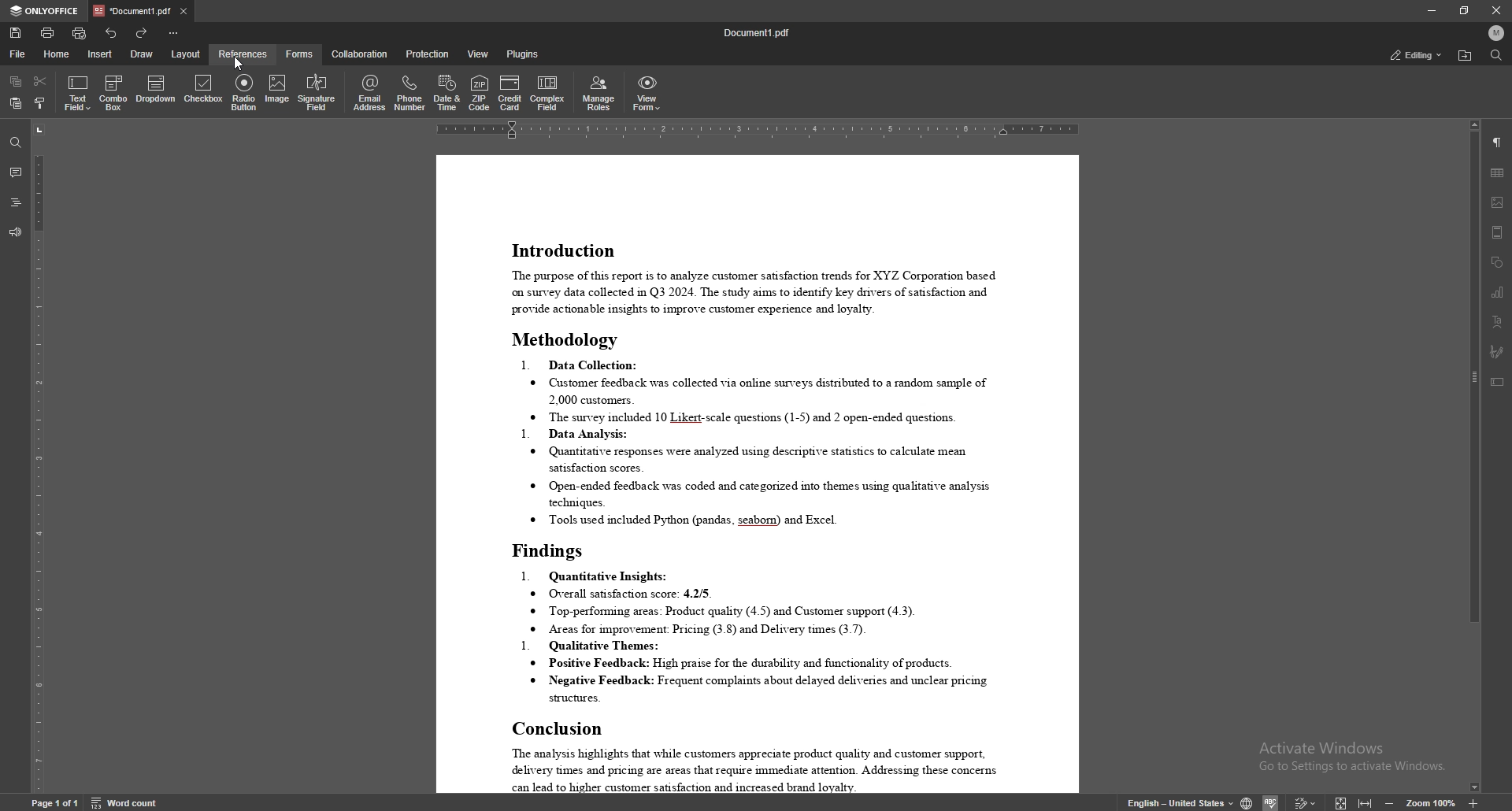 Image resolution: width=1512 pixels, height=811 pixels. What do you see at coordinates (184, 11) in the screenshot?
I see `close tab` at bounding box center [184, 11].